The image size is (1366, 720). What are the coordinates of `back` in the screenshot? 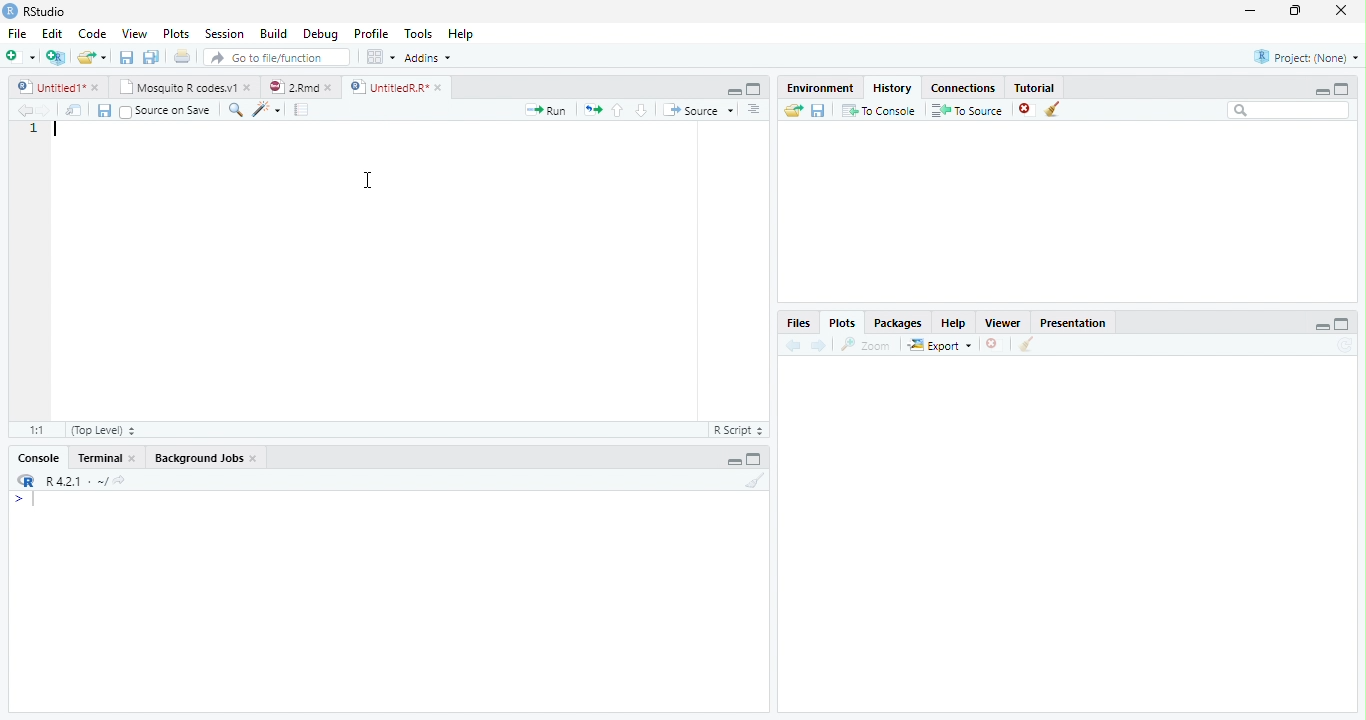 It's located at (790, 345).